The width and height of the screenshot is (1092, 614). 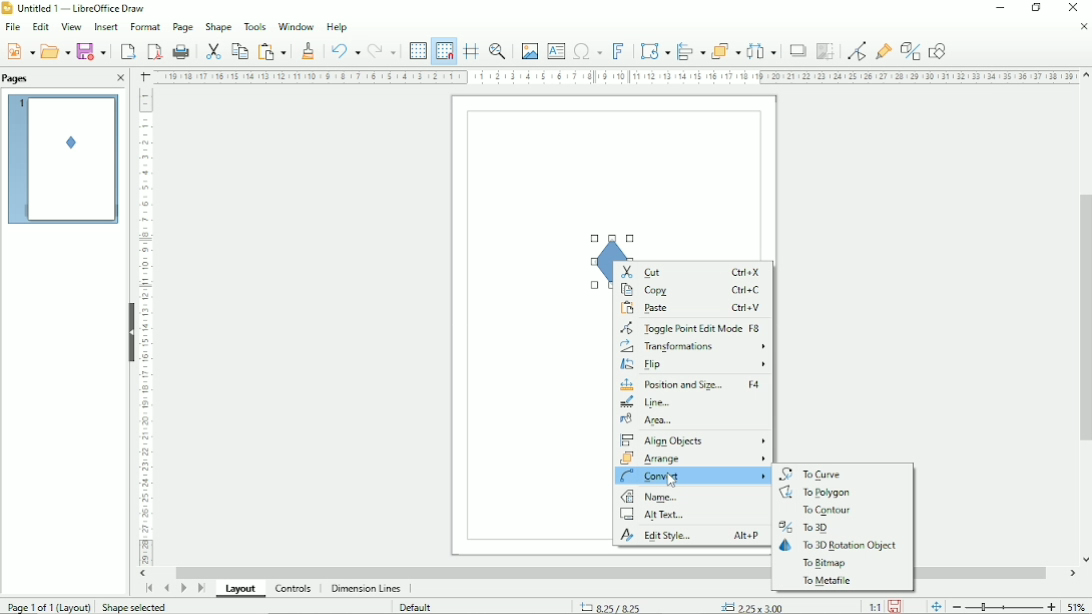 What do you see at coordinates (693, 460) in the screenshot?
I see `Arrange` at bounding box center [693, 460].